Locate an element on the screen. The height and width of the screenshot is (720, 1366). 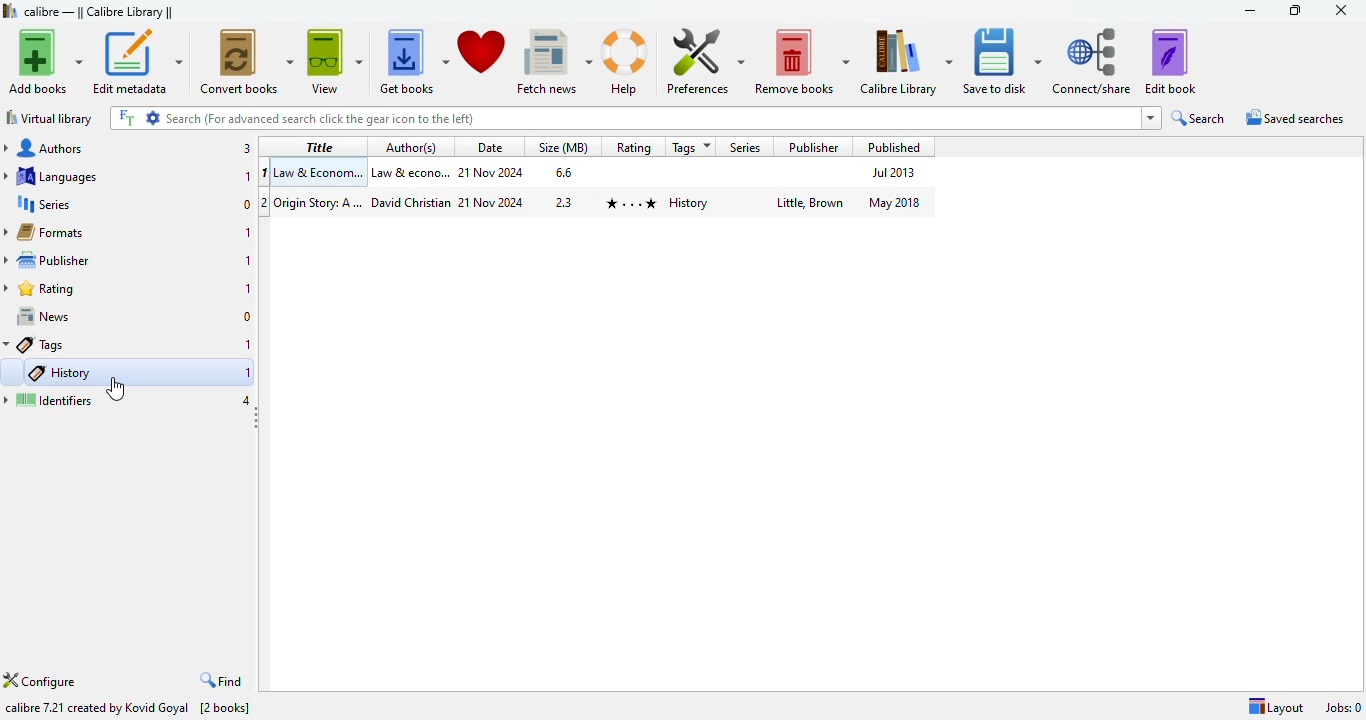
jobs: 0 is located at coordinates (1344, 708).